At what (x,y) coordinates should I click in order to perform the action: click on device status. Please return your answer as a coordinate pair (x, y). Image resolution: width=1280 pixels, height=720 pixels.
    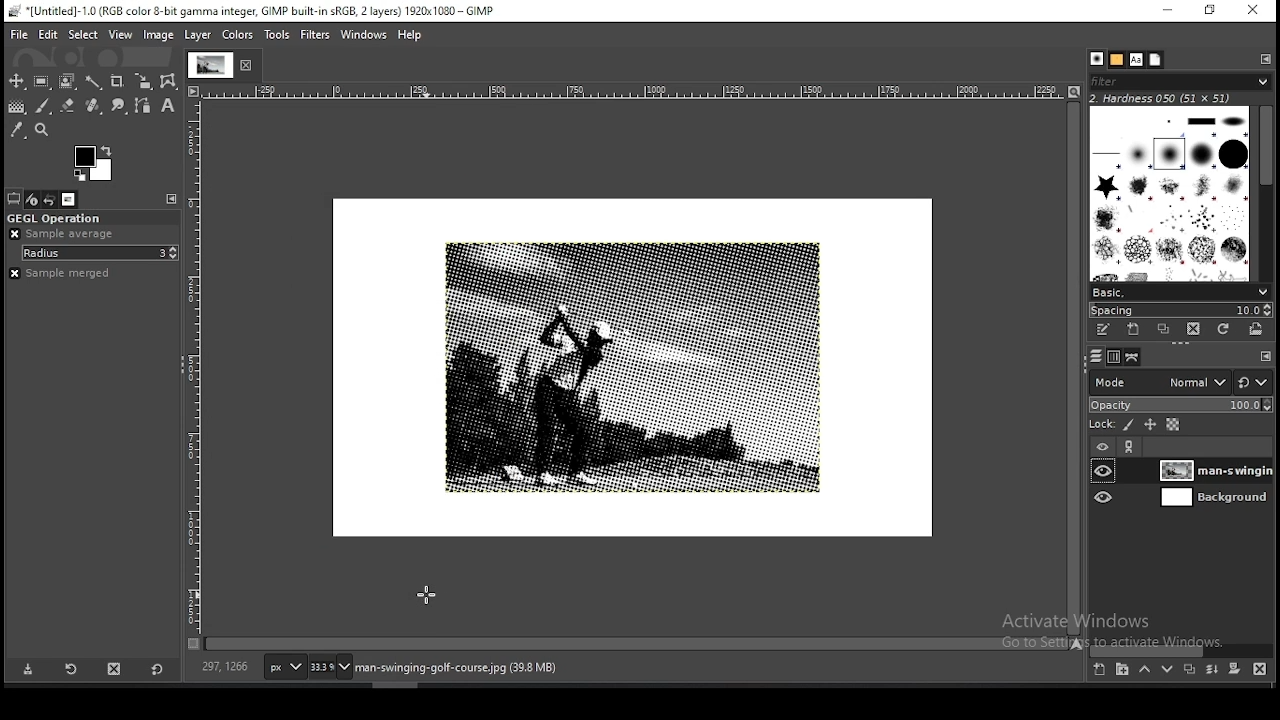
    Looking at the image, I should click on (32, 199).